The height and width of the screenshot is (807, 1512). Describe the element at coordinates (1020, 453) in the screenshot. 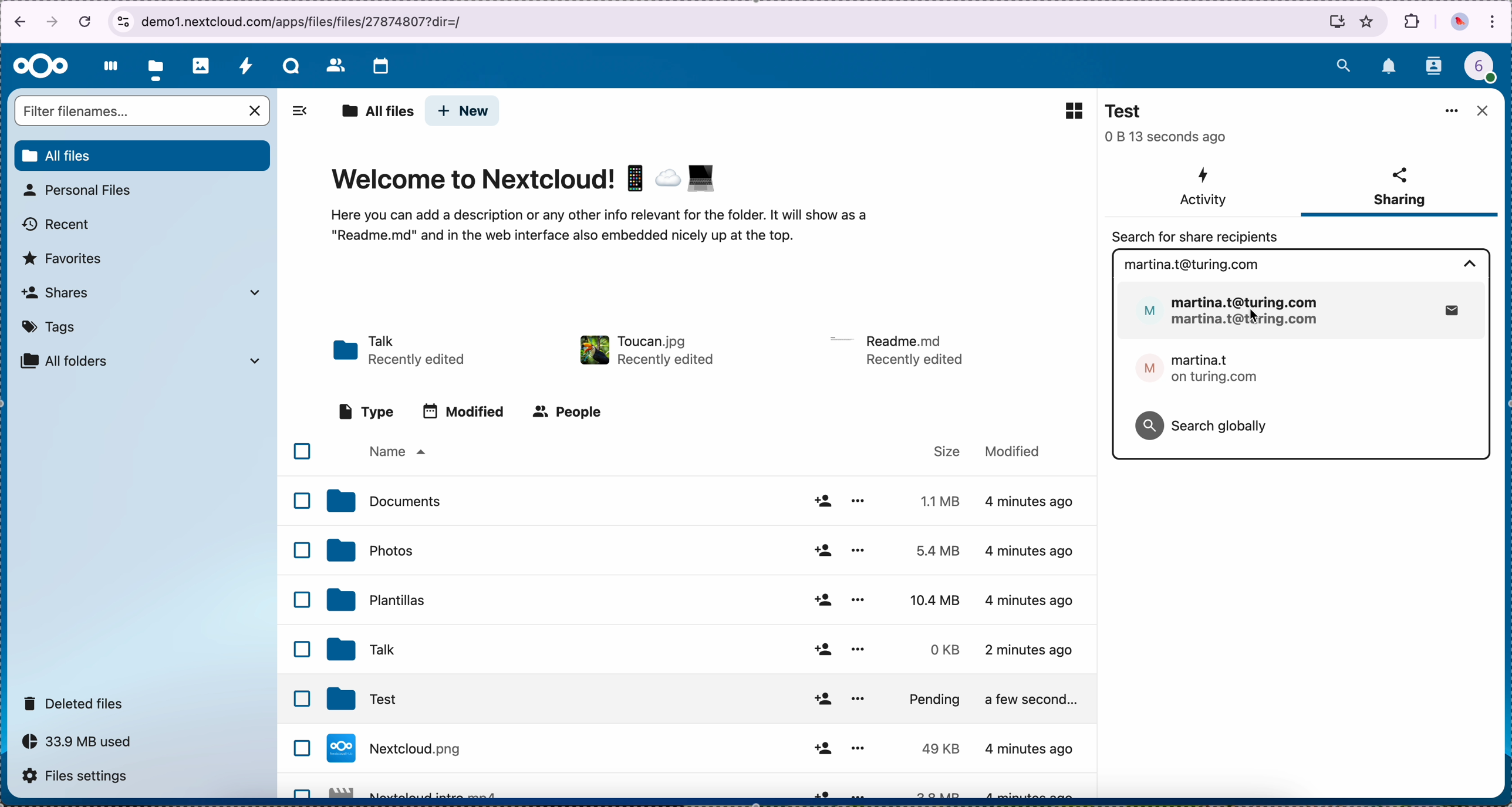

I see `modified` at that location.